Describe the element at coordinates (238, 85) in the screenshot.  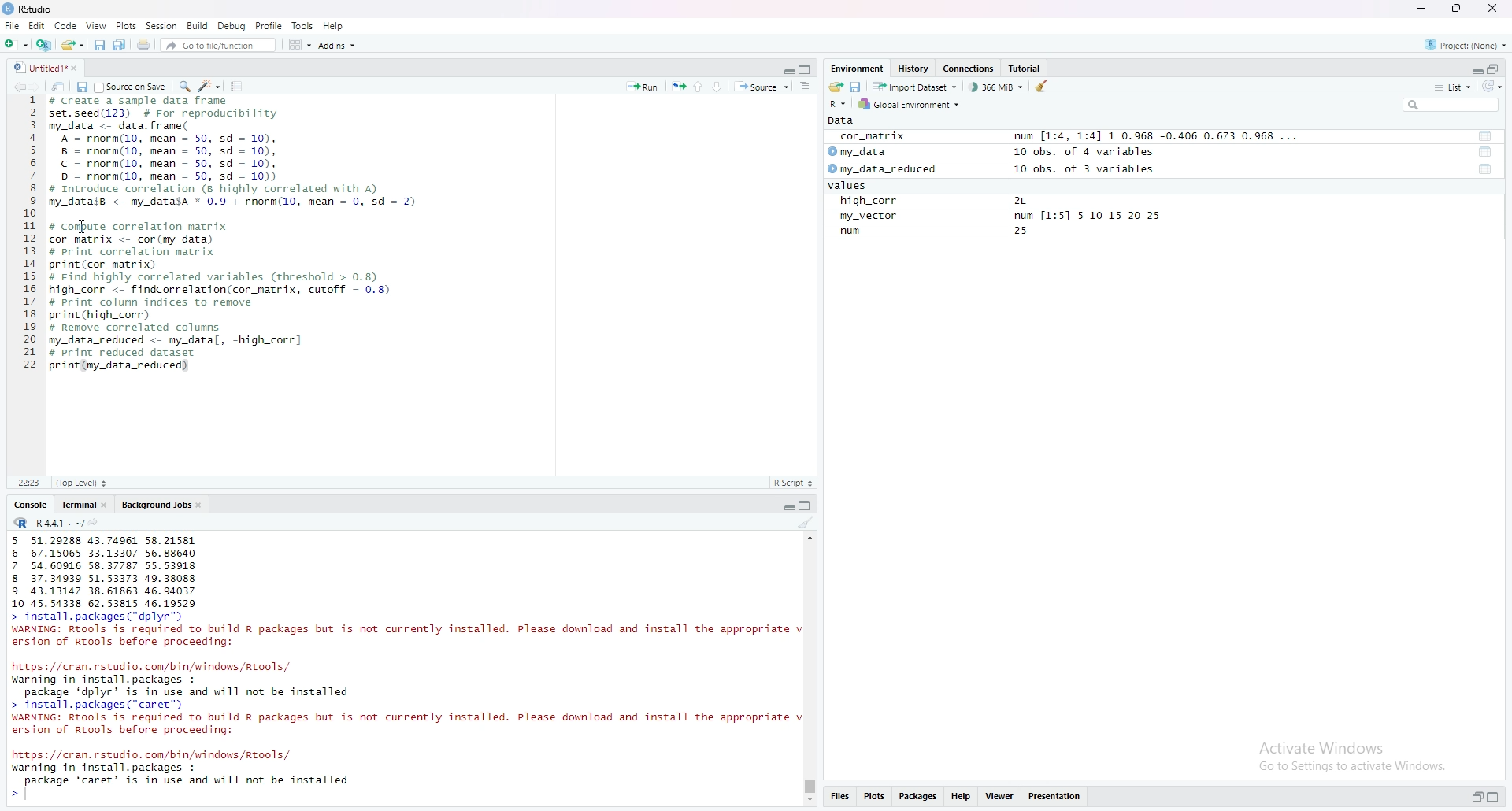
I see `Tools ` at that location.